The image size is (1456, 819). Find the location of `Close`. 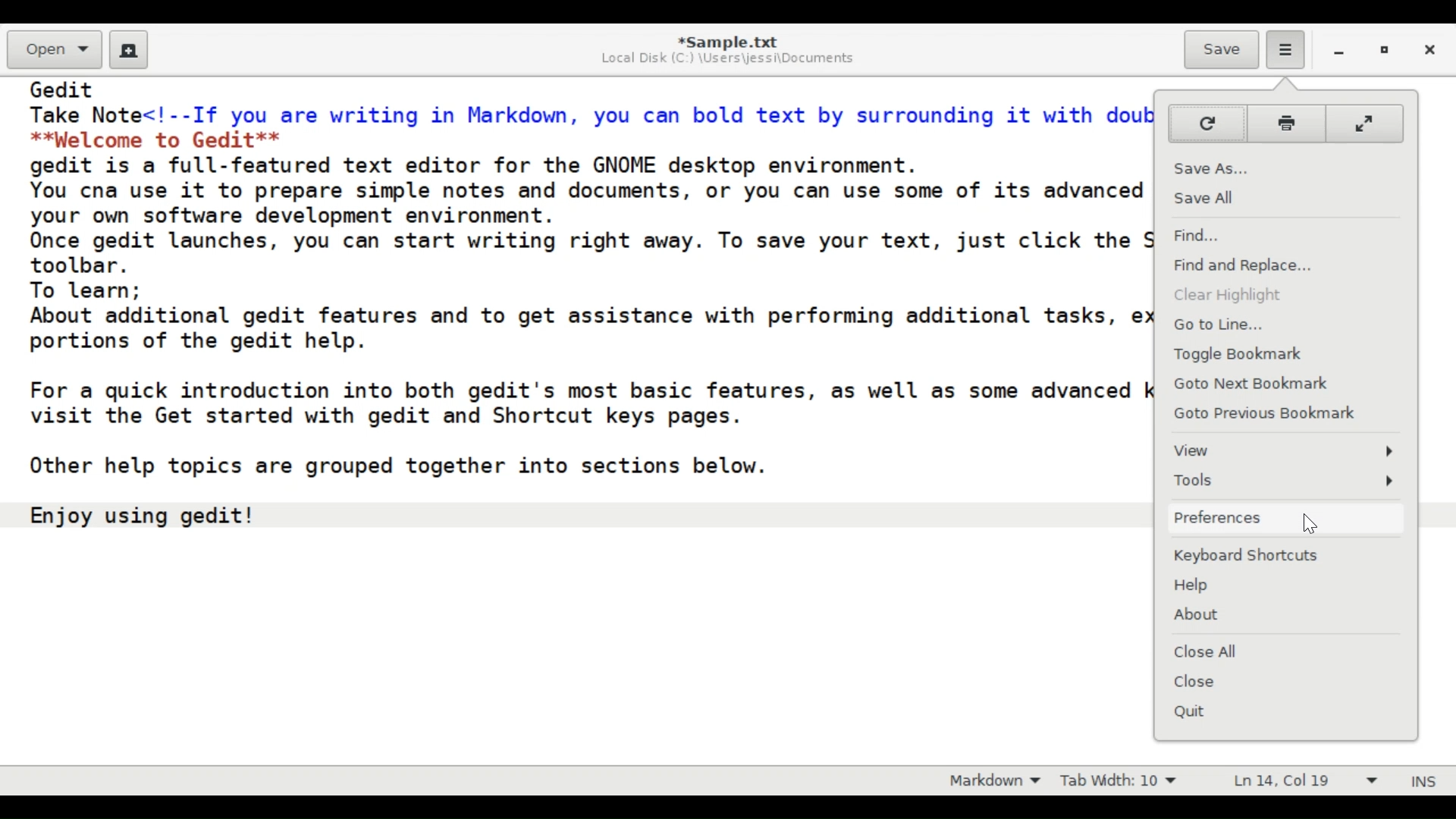

Close is located at coordinates (1285, 682).